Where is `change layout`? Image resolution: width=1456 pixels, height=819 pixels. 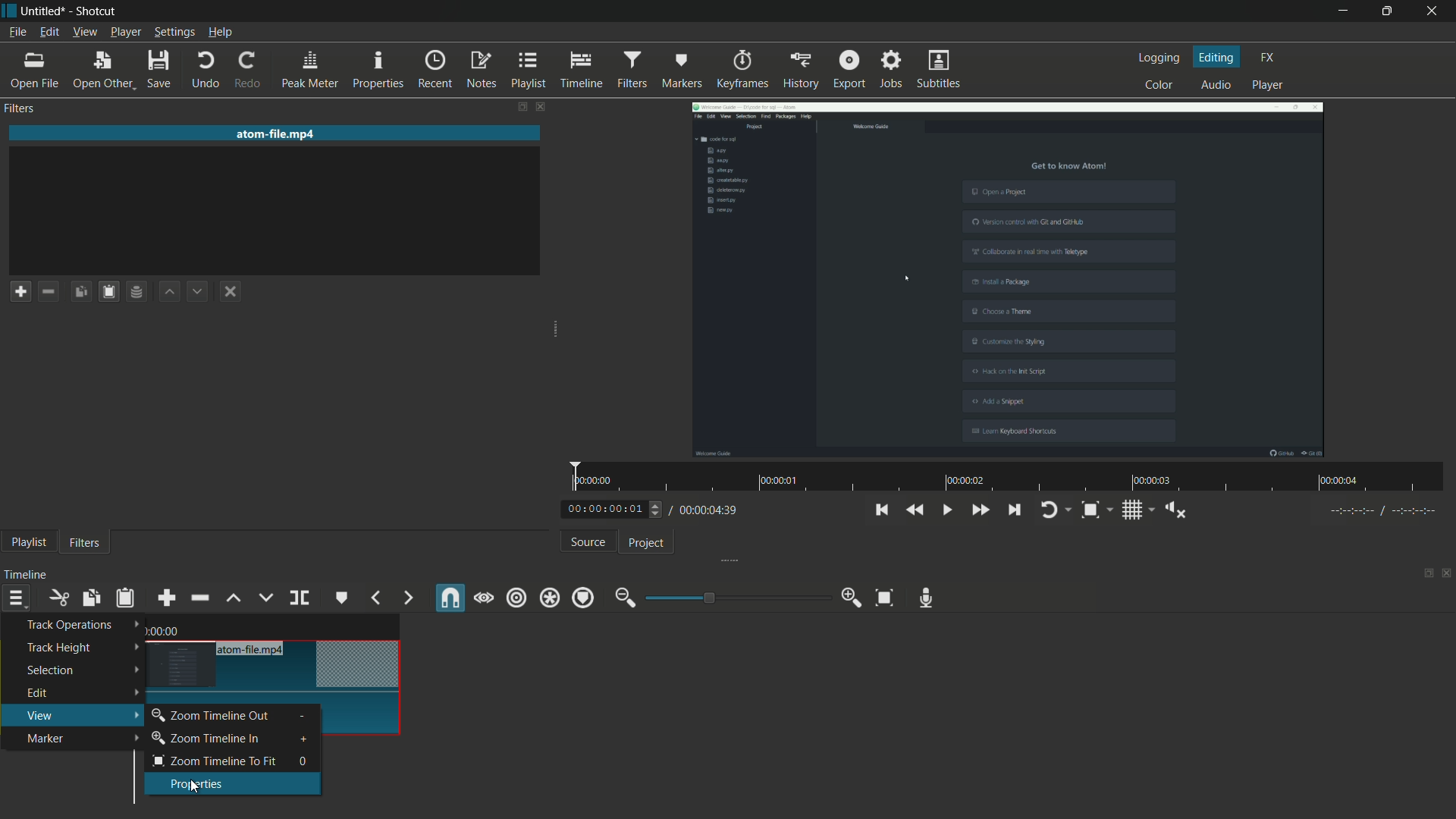
change layout is located at coordinates (1426, 573).